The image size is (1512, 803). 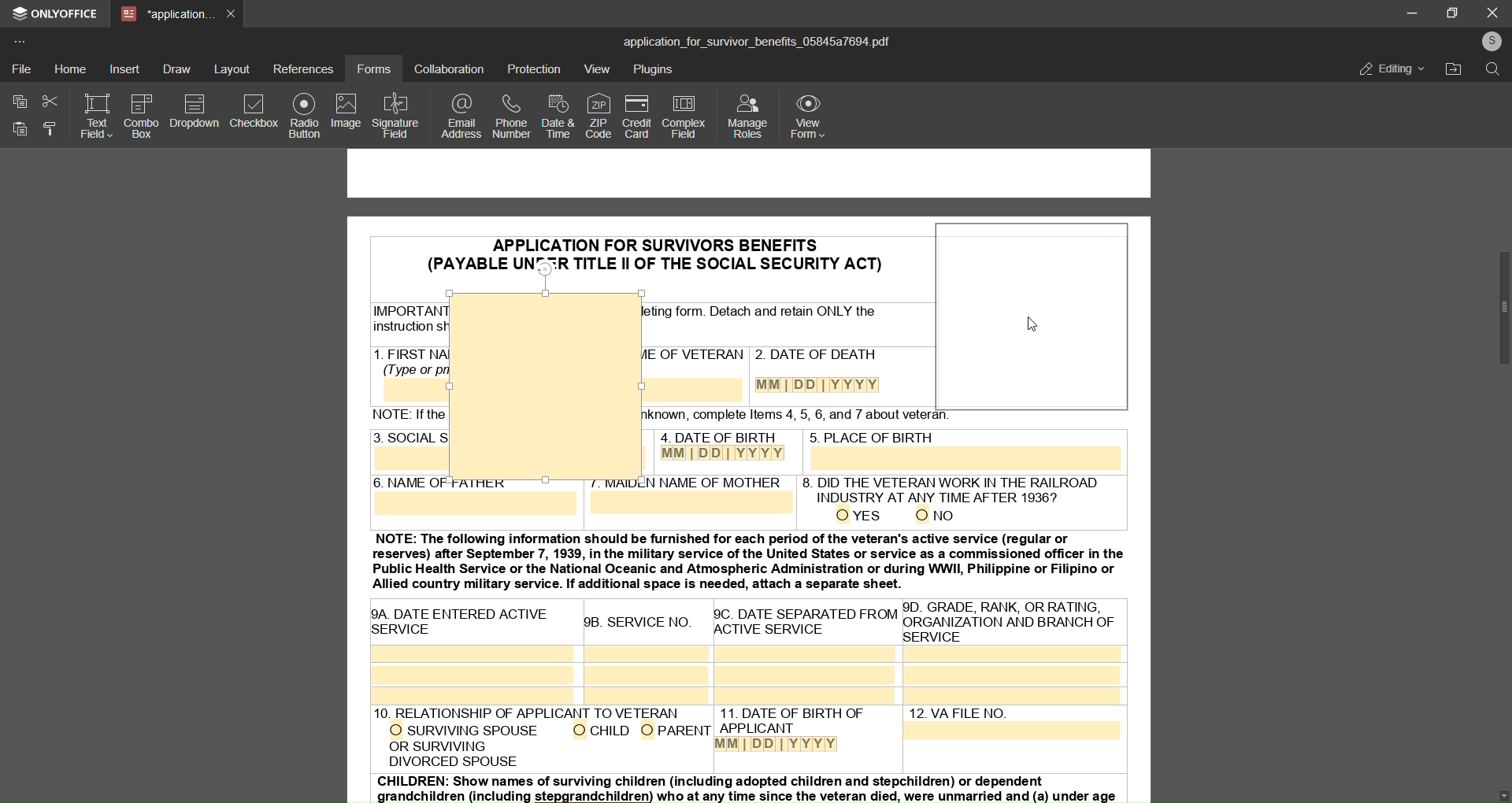 What do you see at coordinates (166, 15) in the screenshot?
I see `tab name` at bounding box center [166, 15].